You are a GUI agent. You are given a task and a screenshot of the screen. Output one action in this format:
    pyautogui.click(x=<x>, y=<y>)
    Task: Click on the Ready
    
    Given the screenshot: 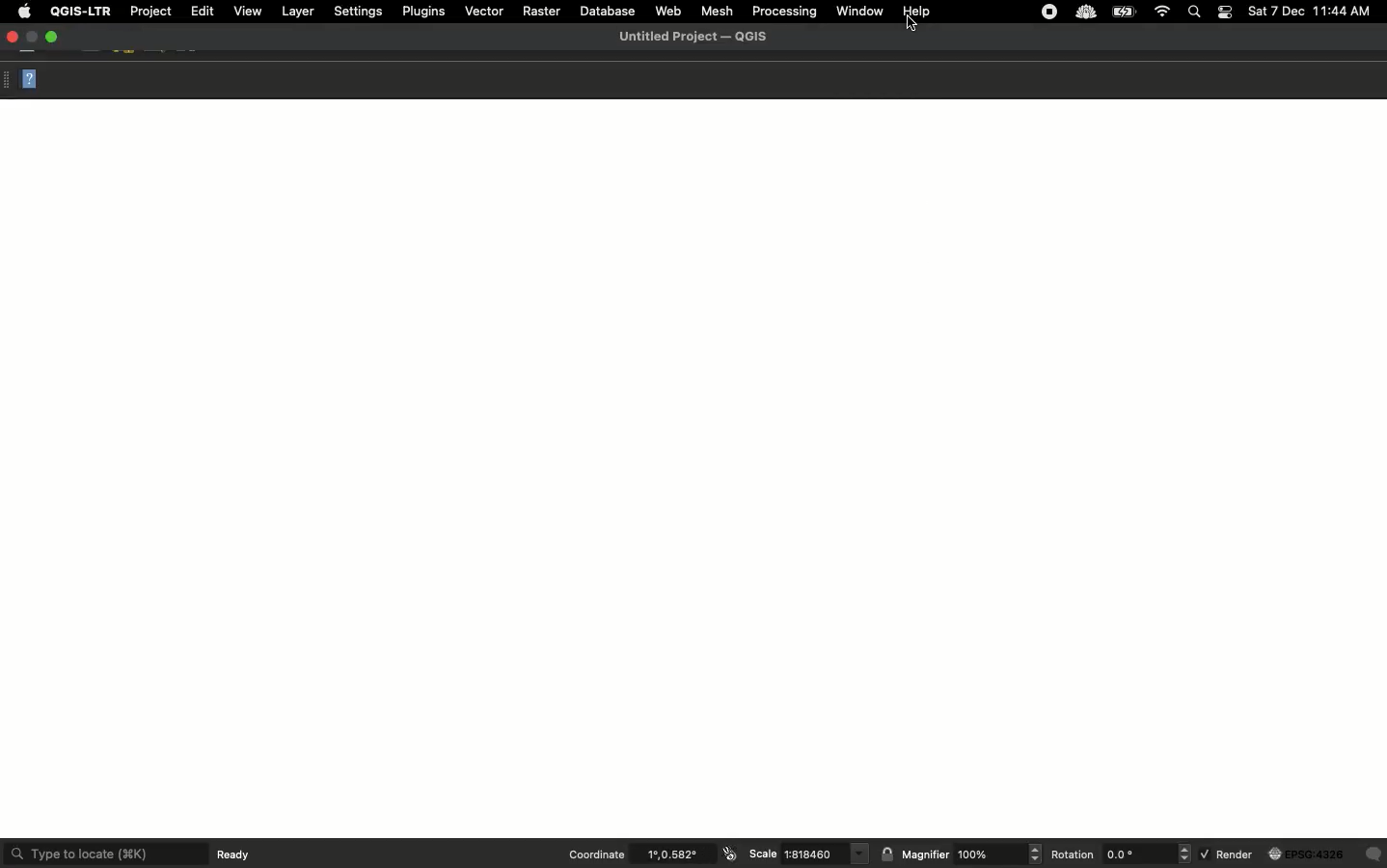 What is the action you would take?
    pyautogui.click(x=239, y=854)
    